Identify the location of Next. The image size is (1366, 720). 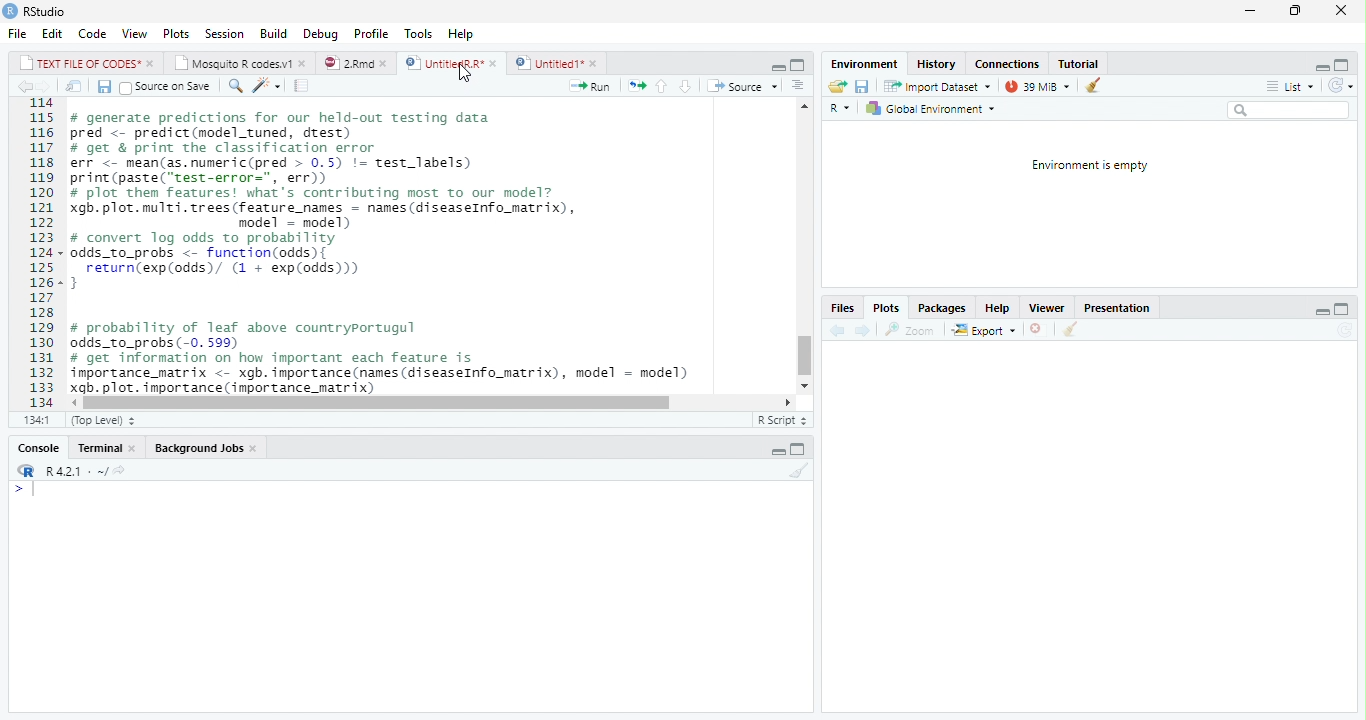
(49, 86).